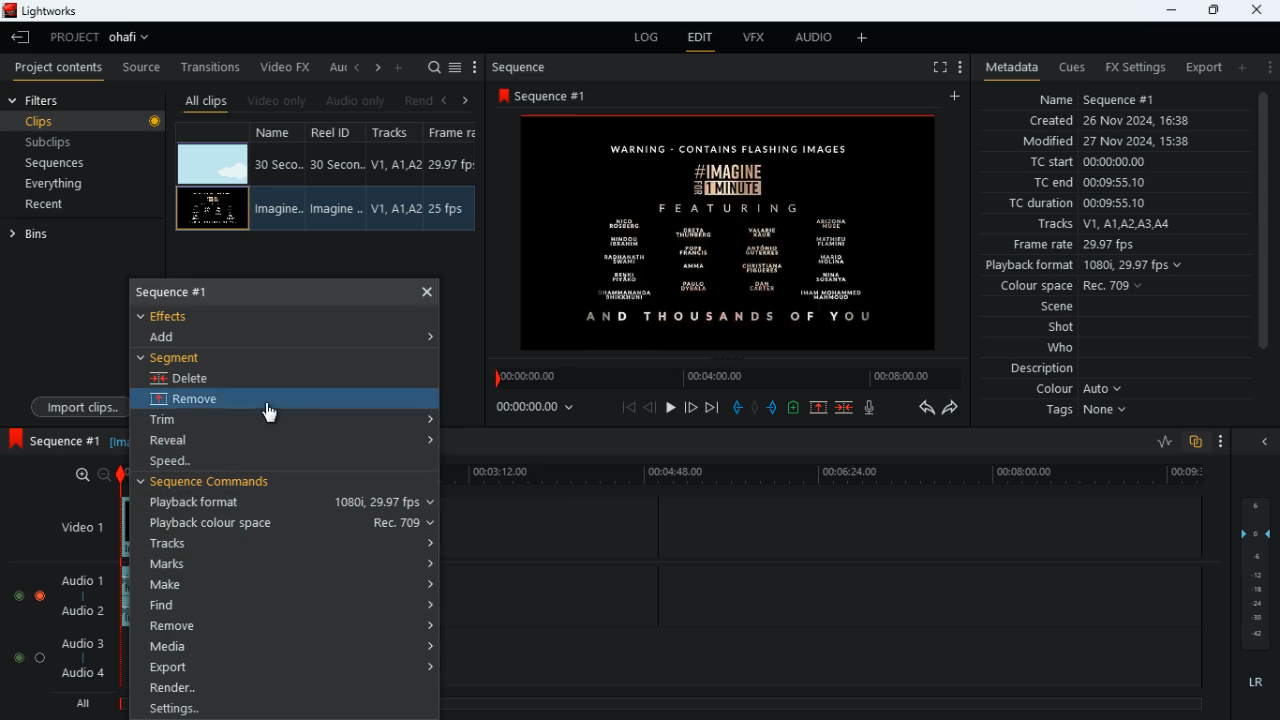 The image size is (1280, 720). I want to click on video fx, so click(287, 66).